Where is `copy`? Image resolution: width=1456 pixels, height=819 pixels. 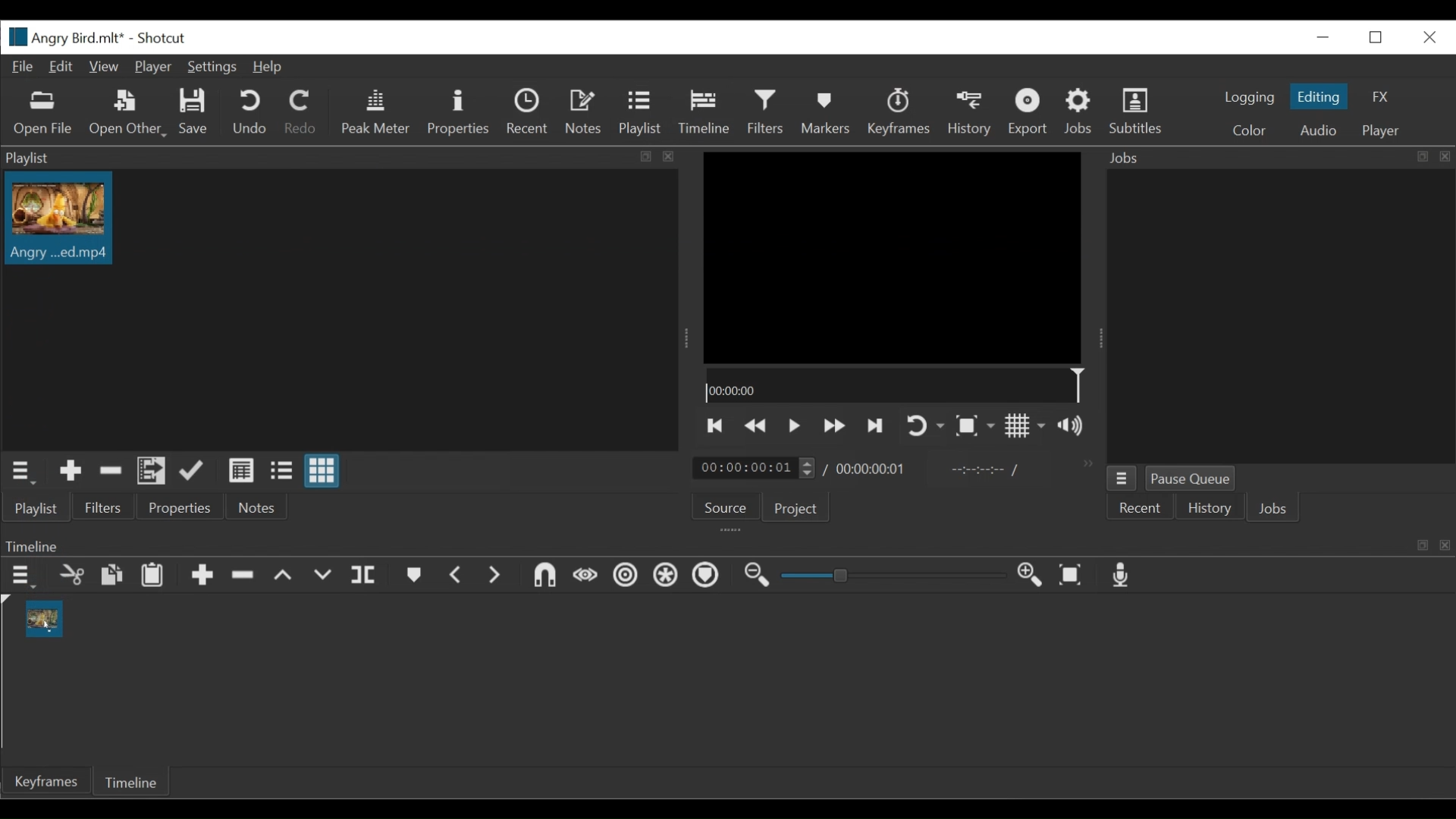 copy is located at coordinates (111, 576).